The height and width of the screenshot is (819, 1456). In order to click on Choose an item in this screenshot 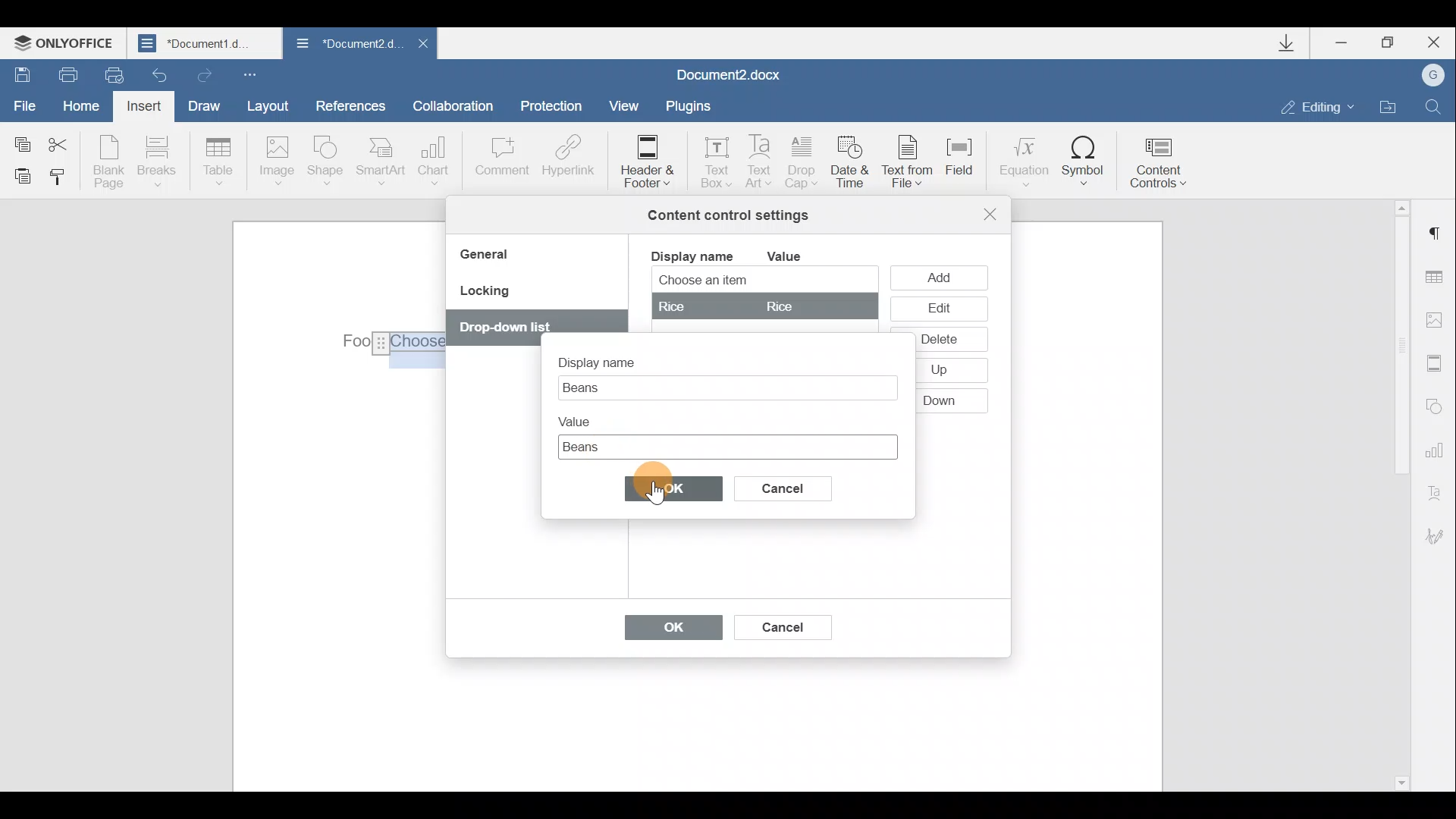, I will do `click(740, 281)`.